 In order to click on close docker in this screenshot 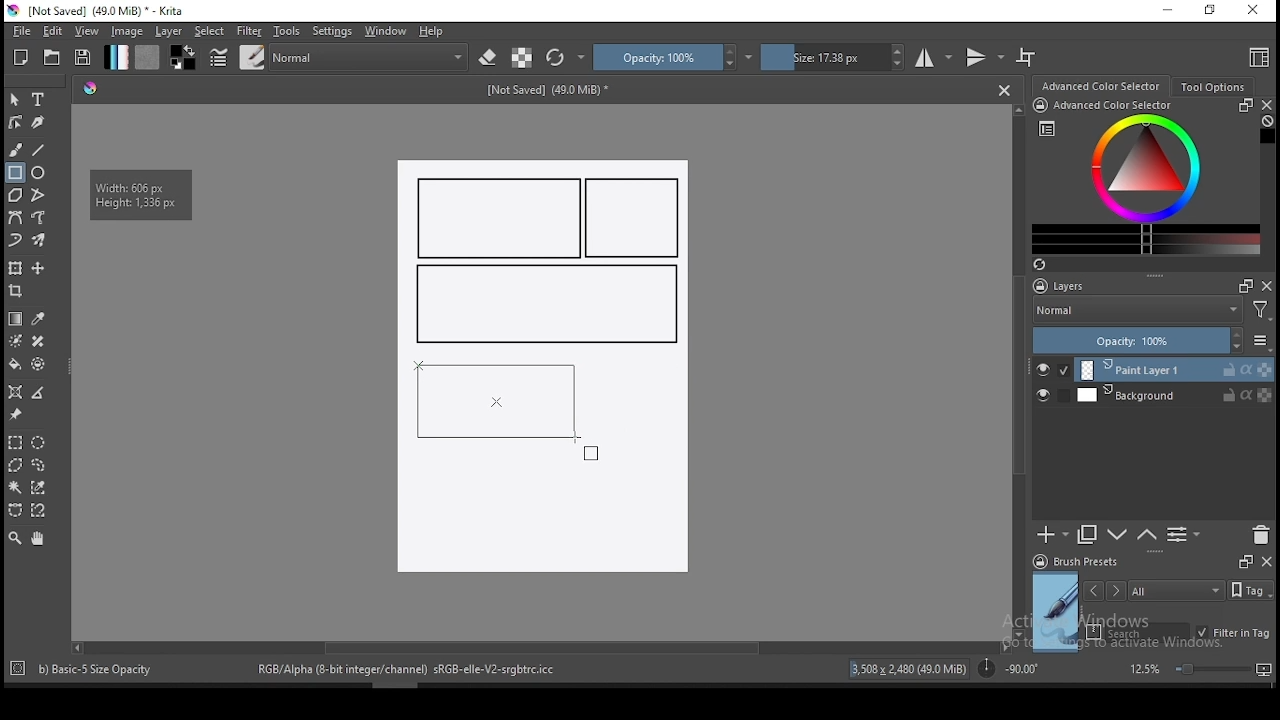, I will do `click(1266, 560)`.